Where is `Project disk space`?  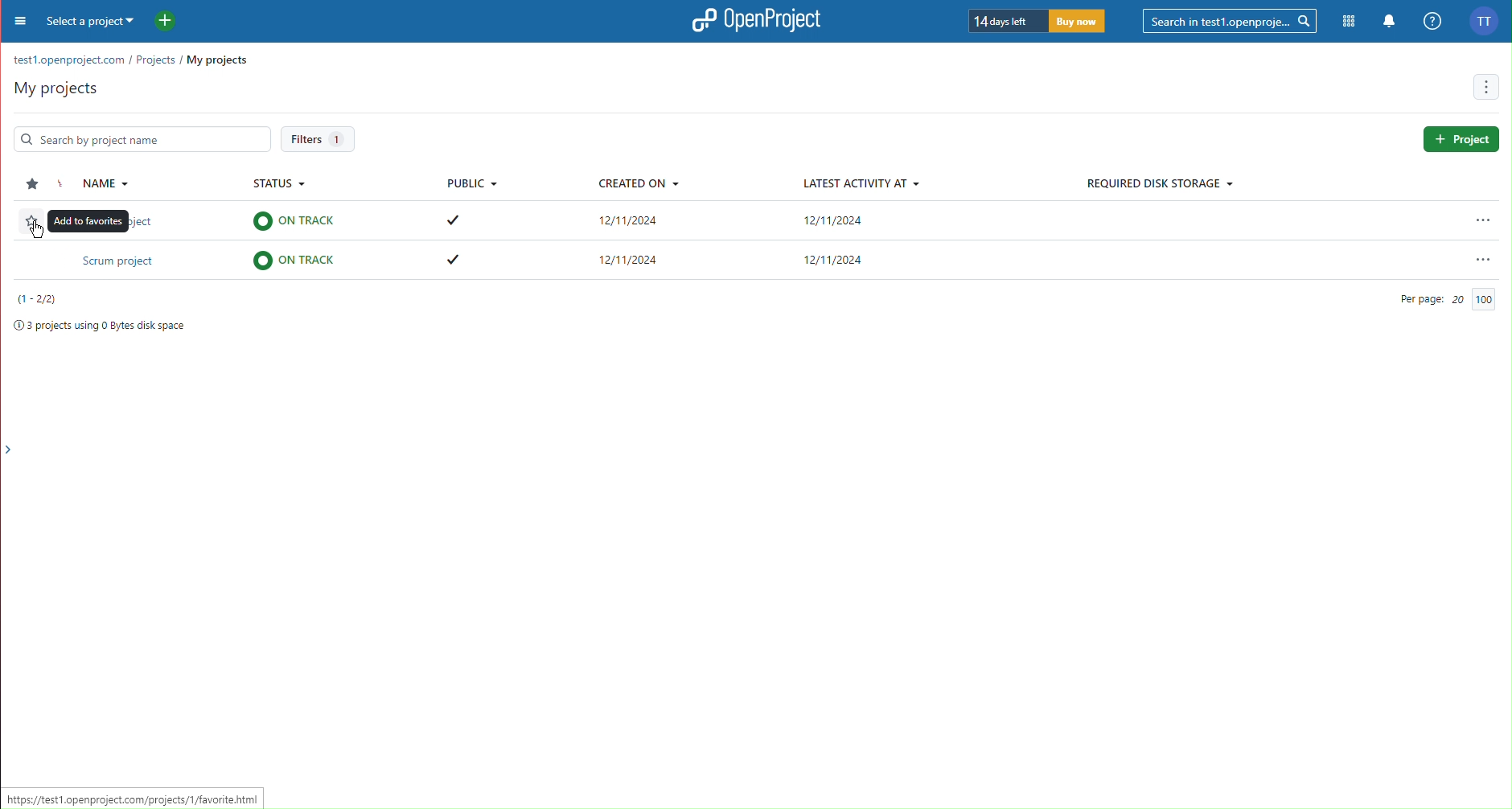
Project disk space is located at coordinates (97, 327).